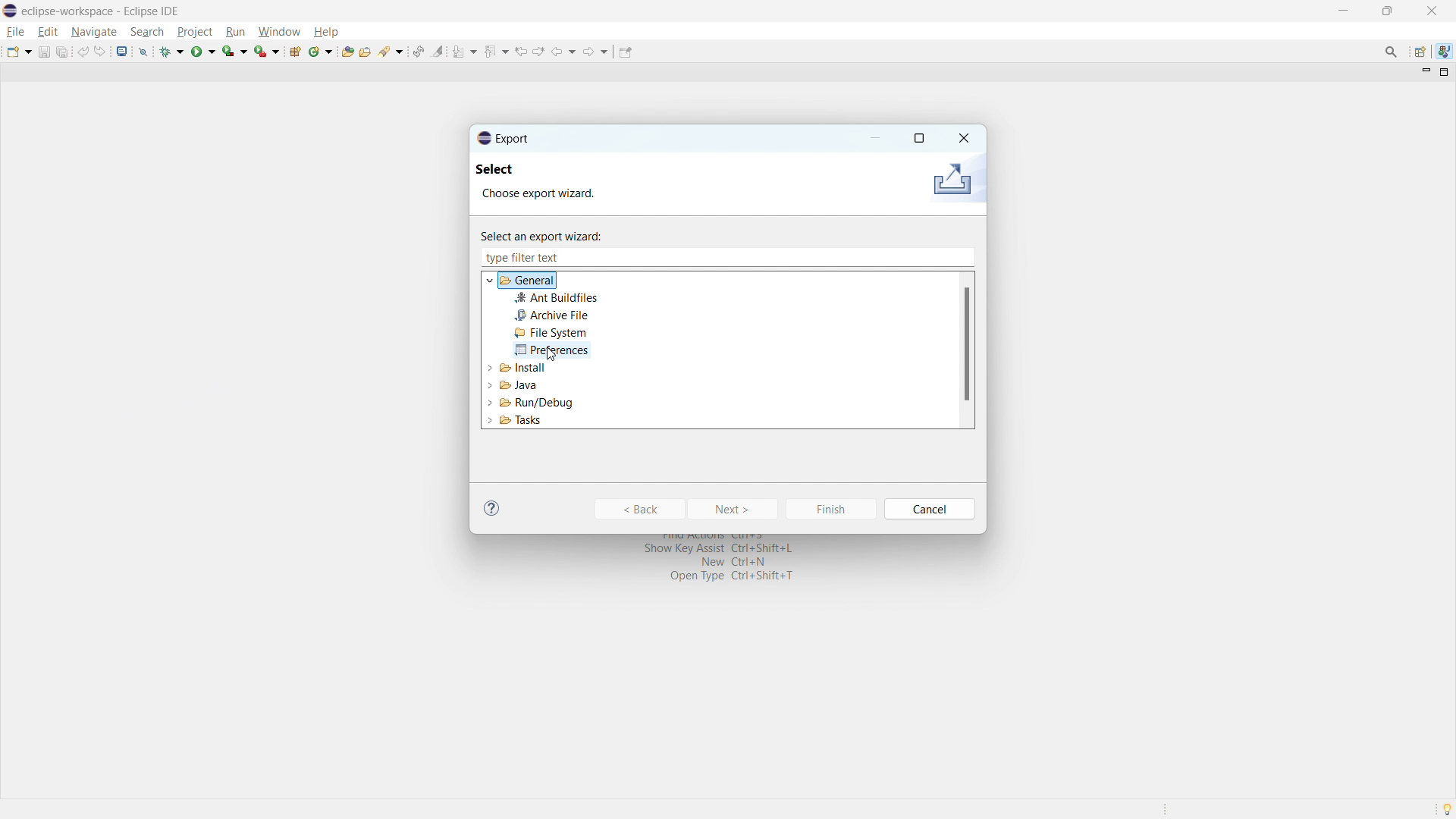 This screenshot has height=819, width=1456. I want to click on toggle ant editor auto reconcile, so click(418, 51).